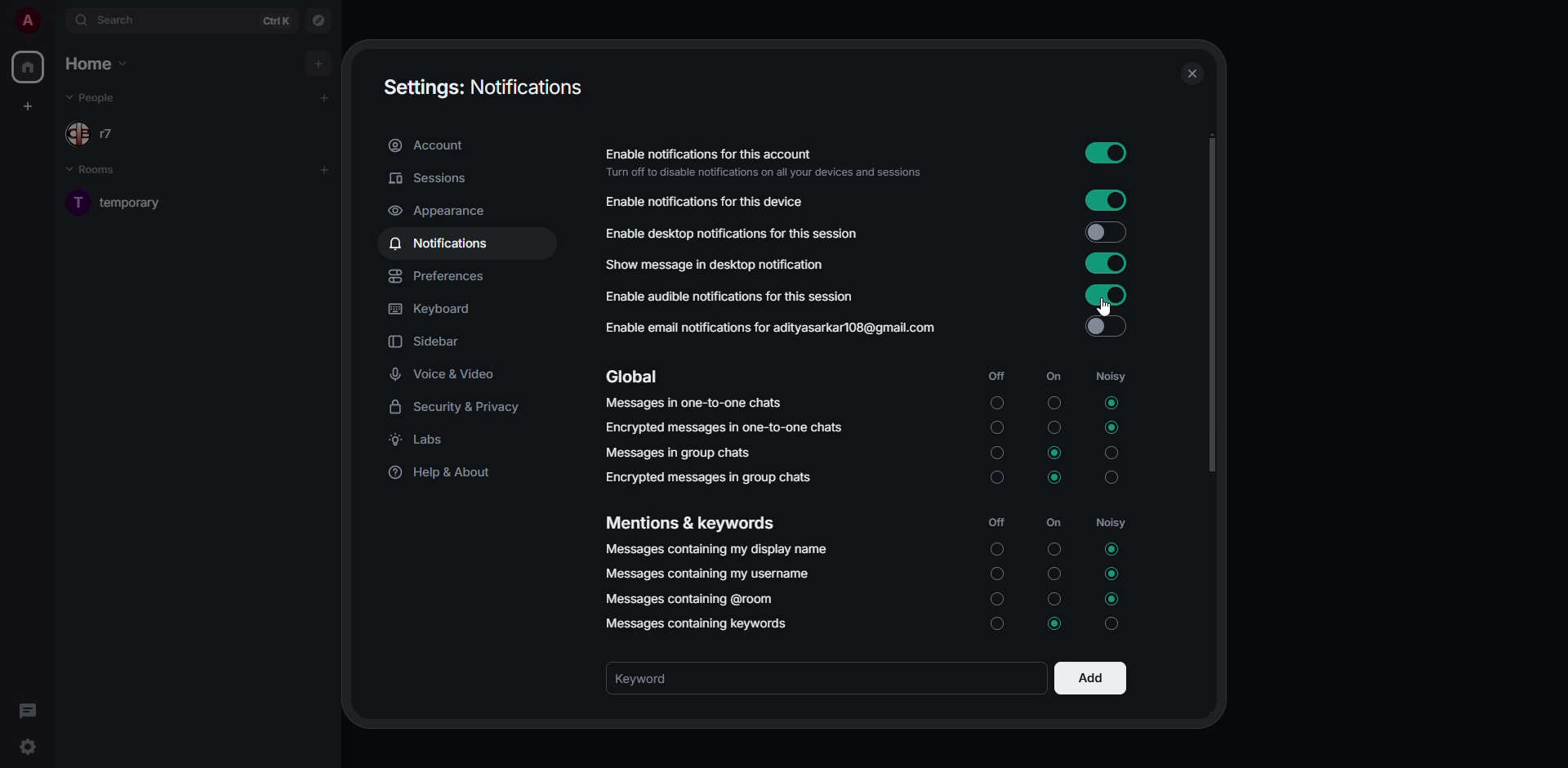 Image resolution: width=1568 pixels, height=768 pixels. Describe the element at coordinates (998, 453) in the screenshot. I see `Off Unselected` at that location.